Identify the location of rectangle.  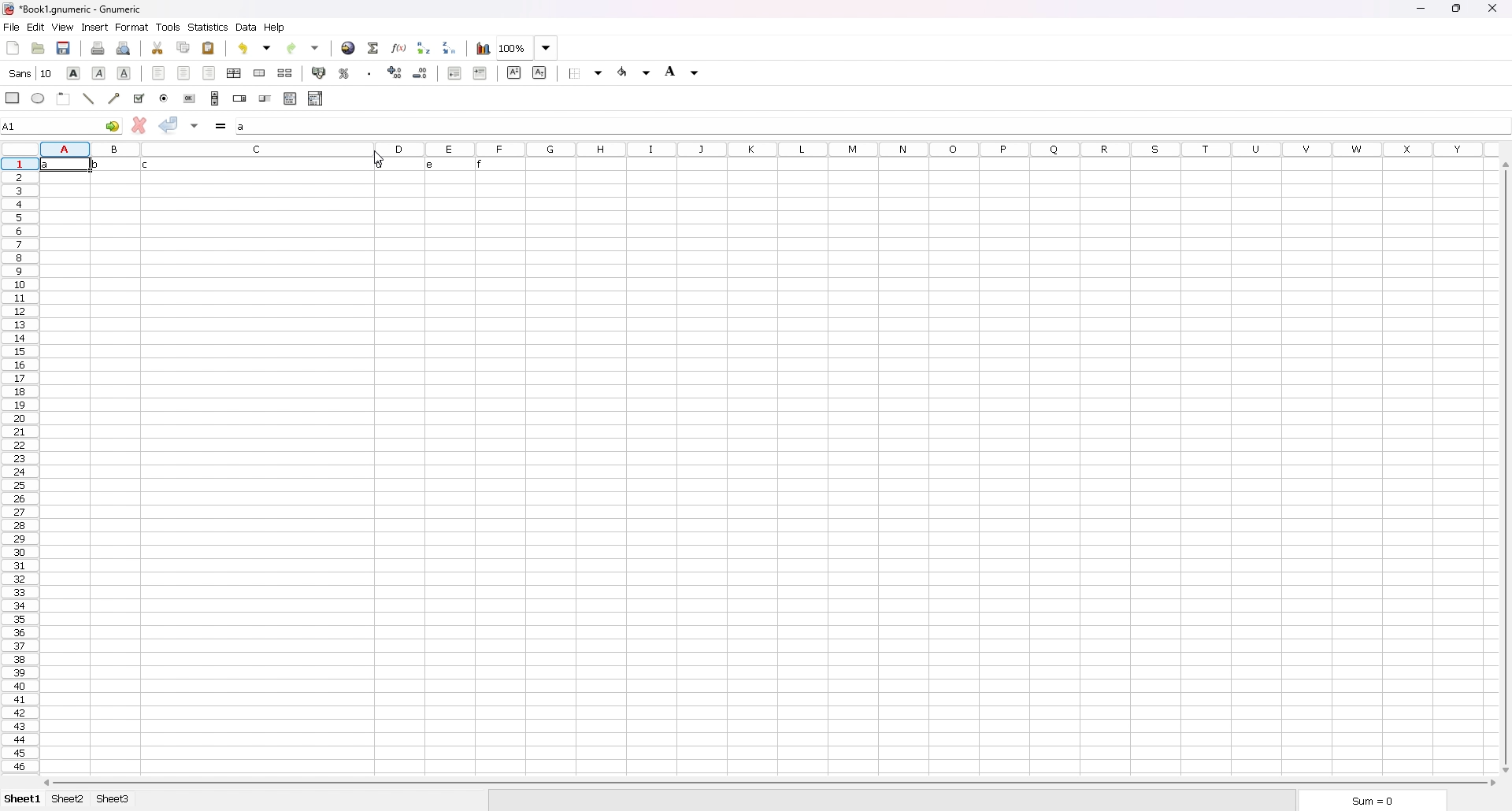
(13, 97).